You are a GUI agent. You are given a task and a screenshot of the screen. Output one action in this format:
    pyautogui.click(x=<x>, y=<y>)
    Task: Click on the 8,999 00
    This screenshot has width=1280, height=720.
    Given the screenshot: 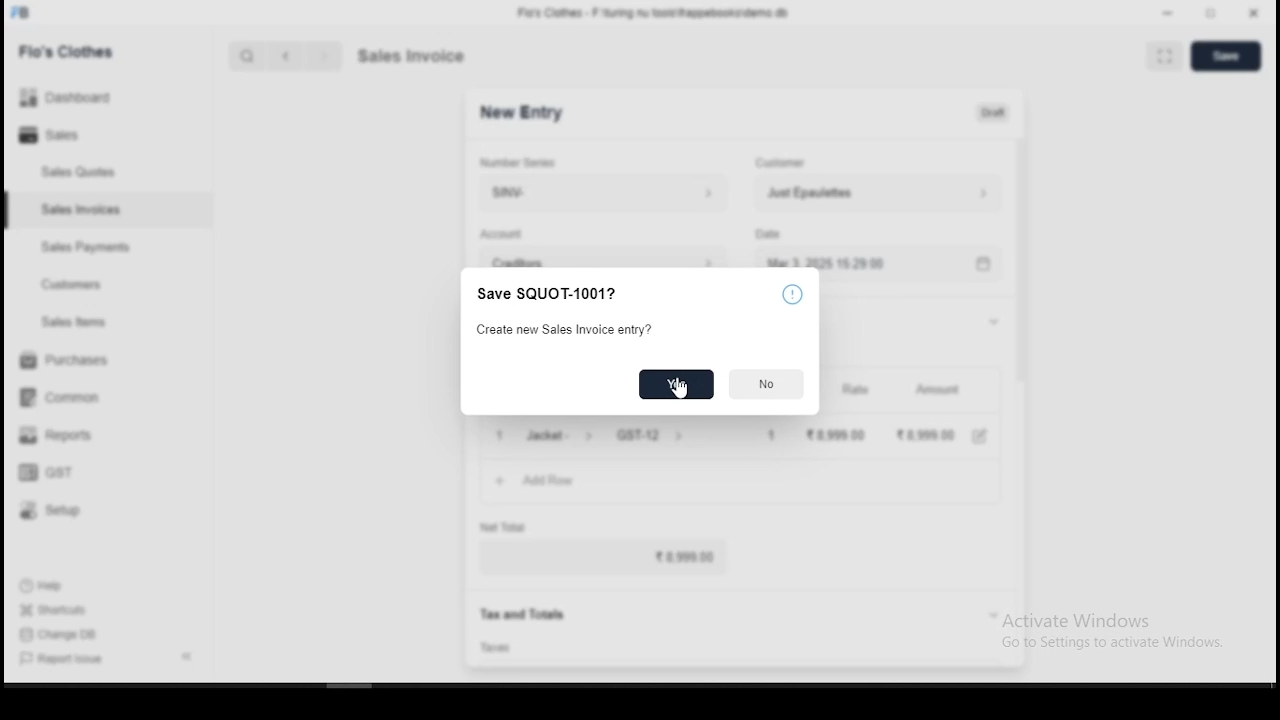 What is the action you would take?
    pyautogui.click(x=838, y=434)
    